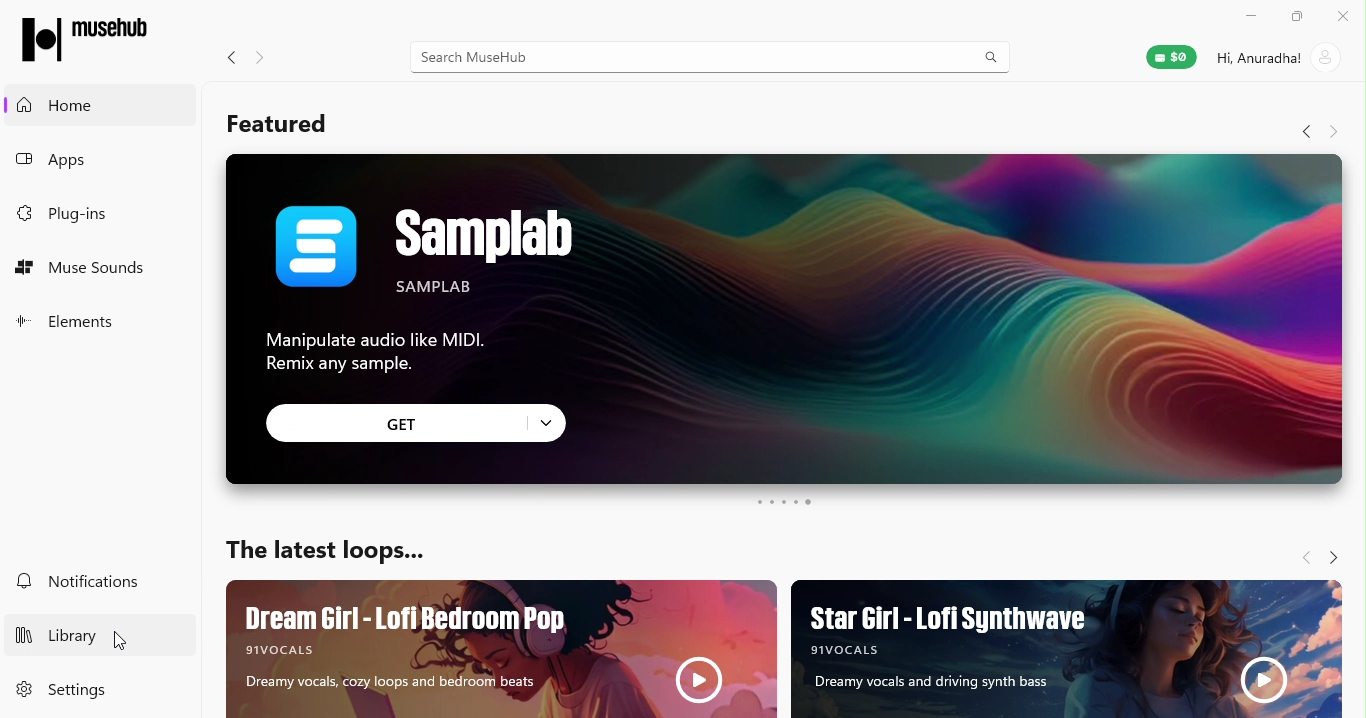 The height and width of the screenshot is (718, 1366). What do you see at coordinates (95, 582) in the screenshot?
I see `Notifications` at bounding box center [95, 582].